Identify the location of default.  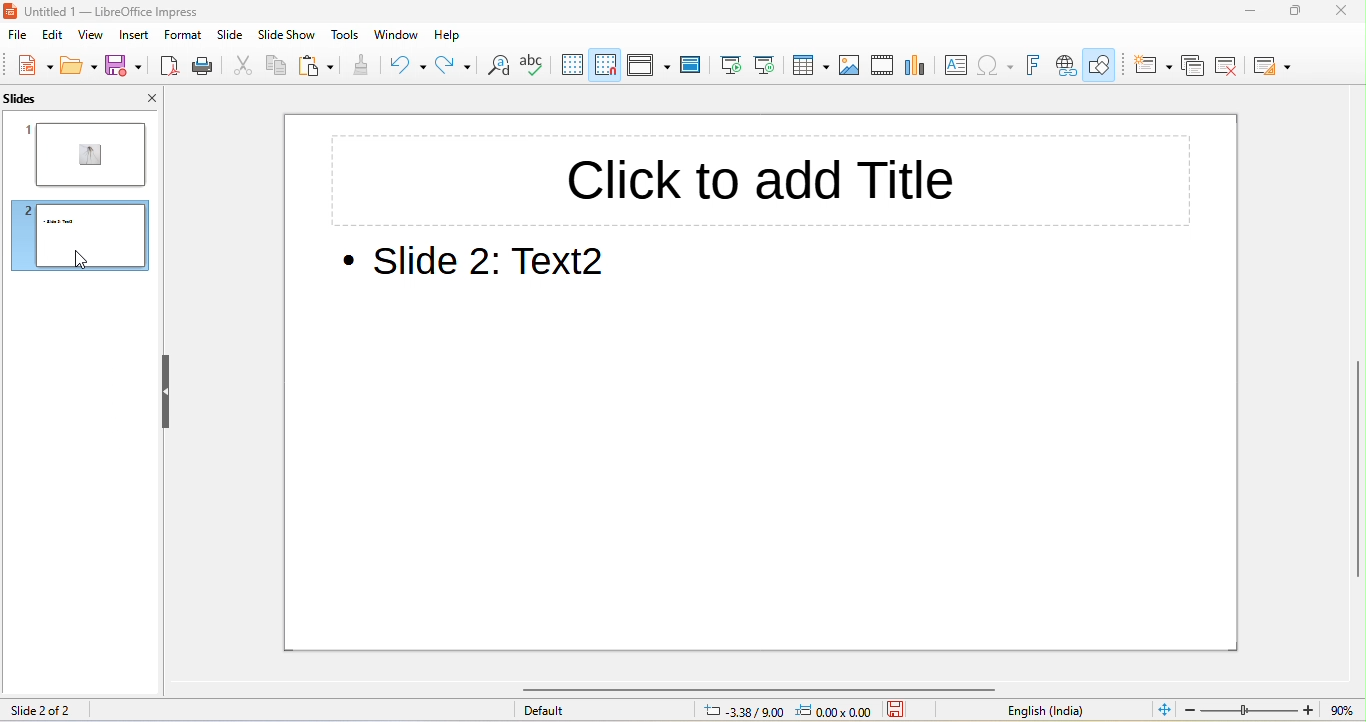
(599, 711).